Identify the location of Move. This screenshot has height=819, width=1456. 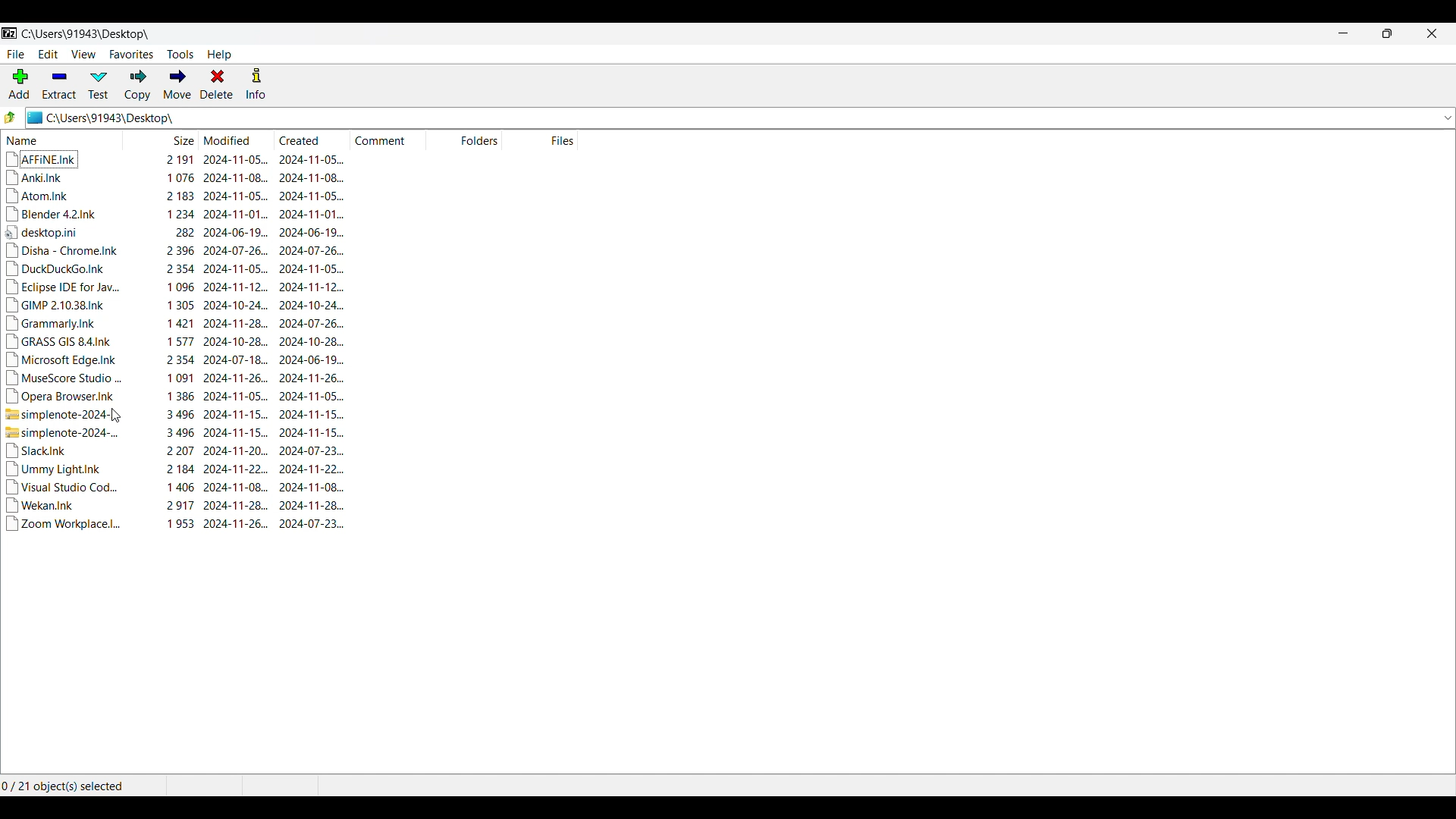
(177, 83).